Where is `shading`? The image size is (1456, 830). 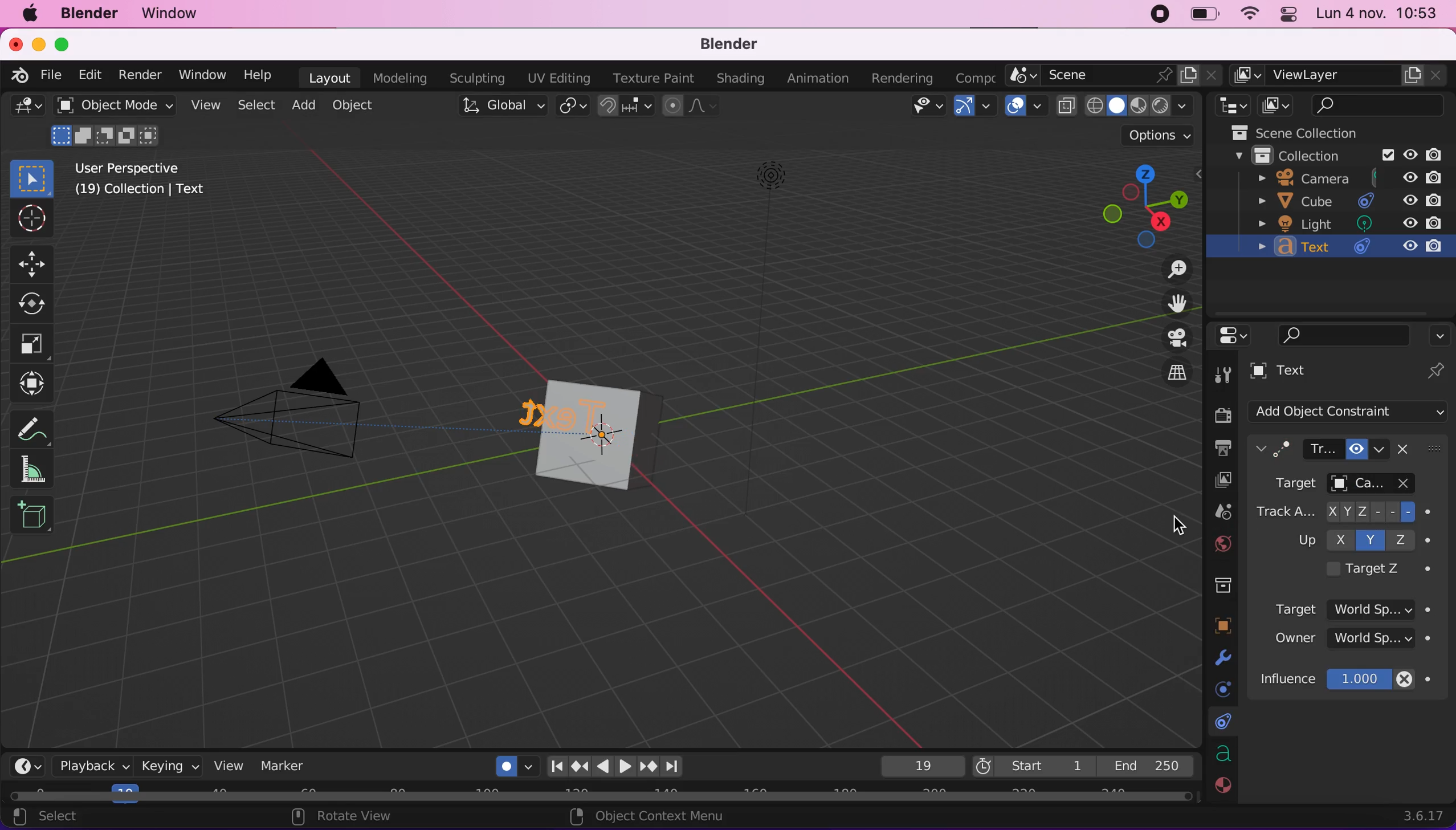 shading is located at coordinates (1136, 107).